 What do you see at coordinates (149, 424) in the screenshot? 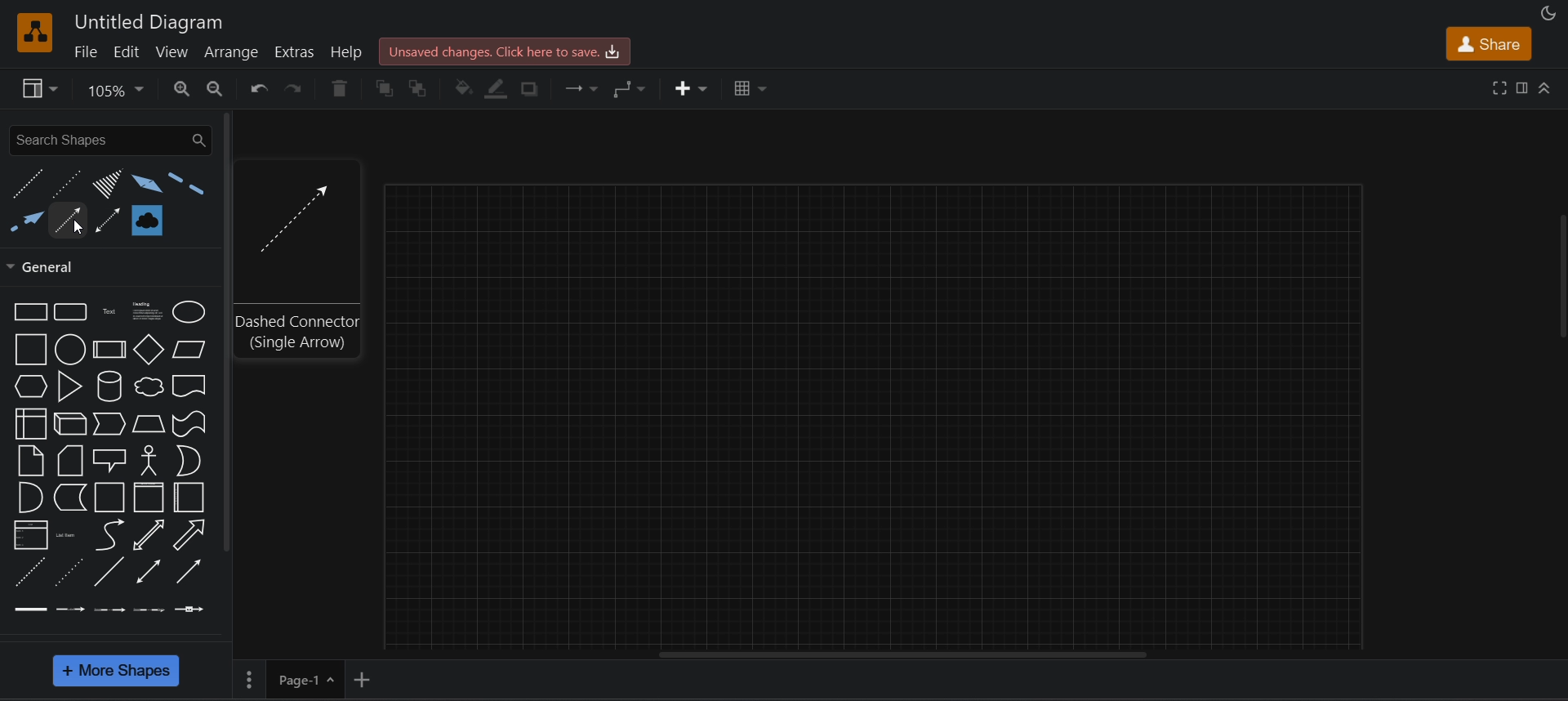
I see `trapezoid` at bounding box center [149, 424].